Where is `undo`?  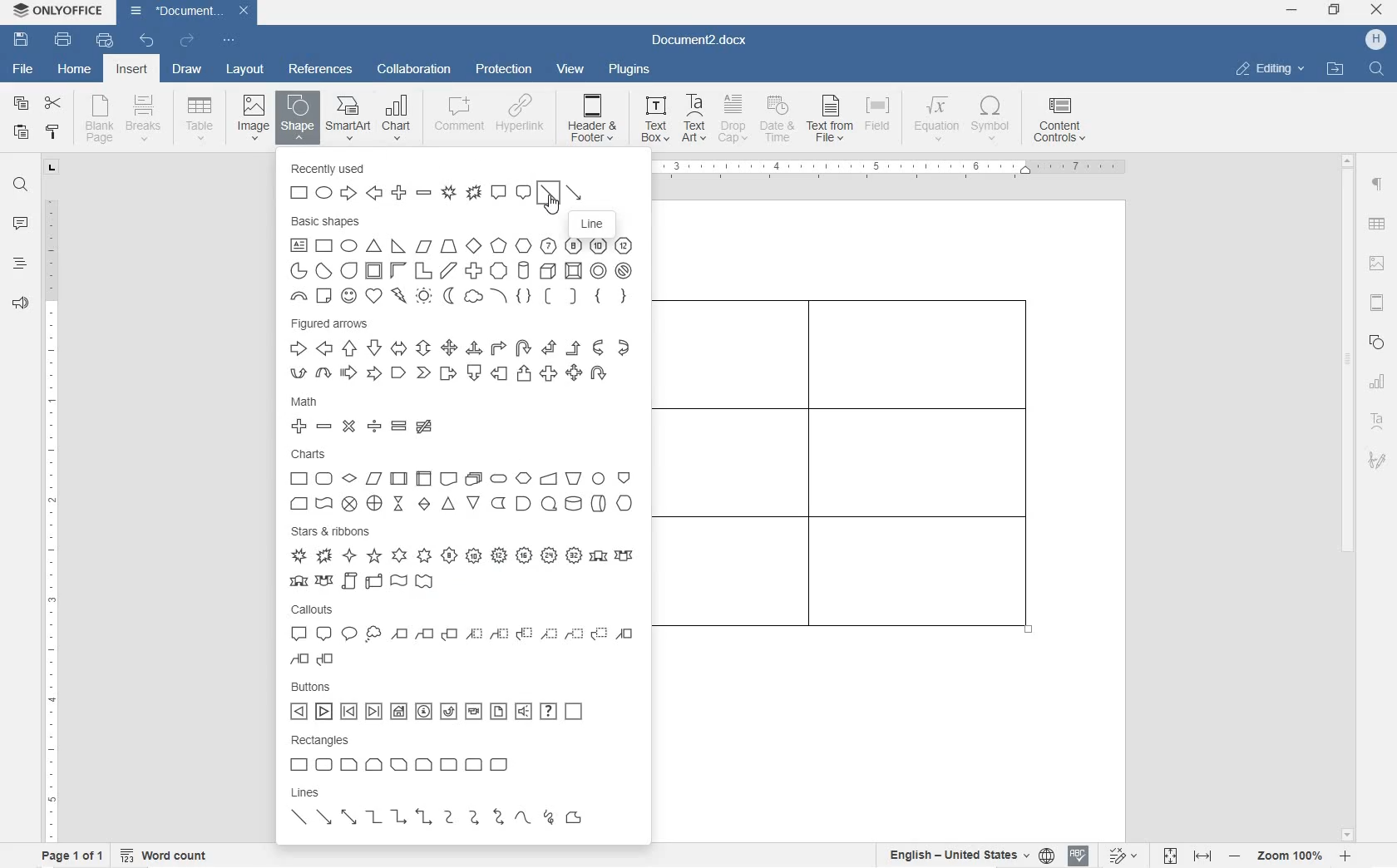
undo is located at coordinates (146, 41).